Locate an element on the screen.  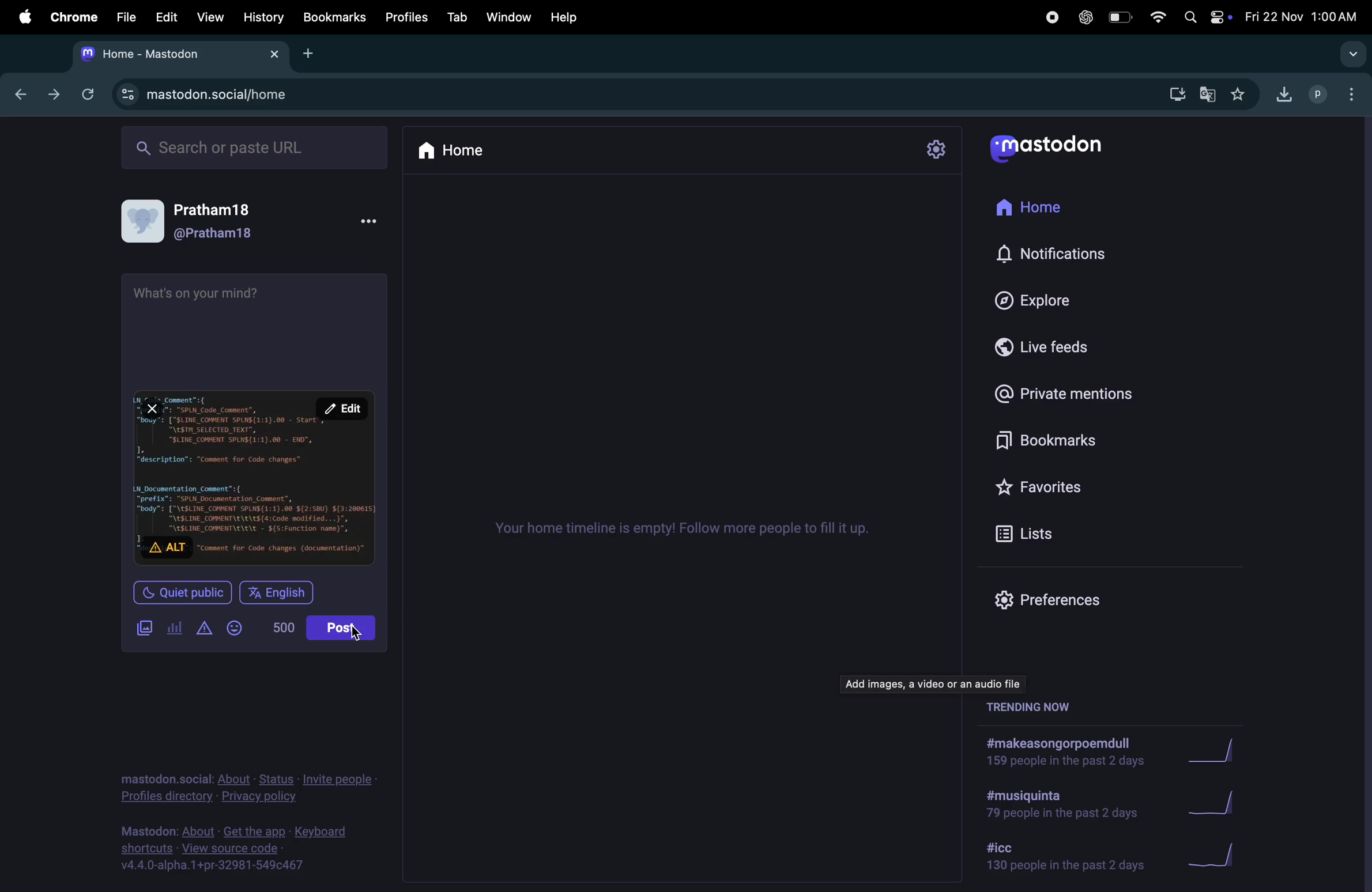
invite people is located at coordinates (337, 780).